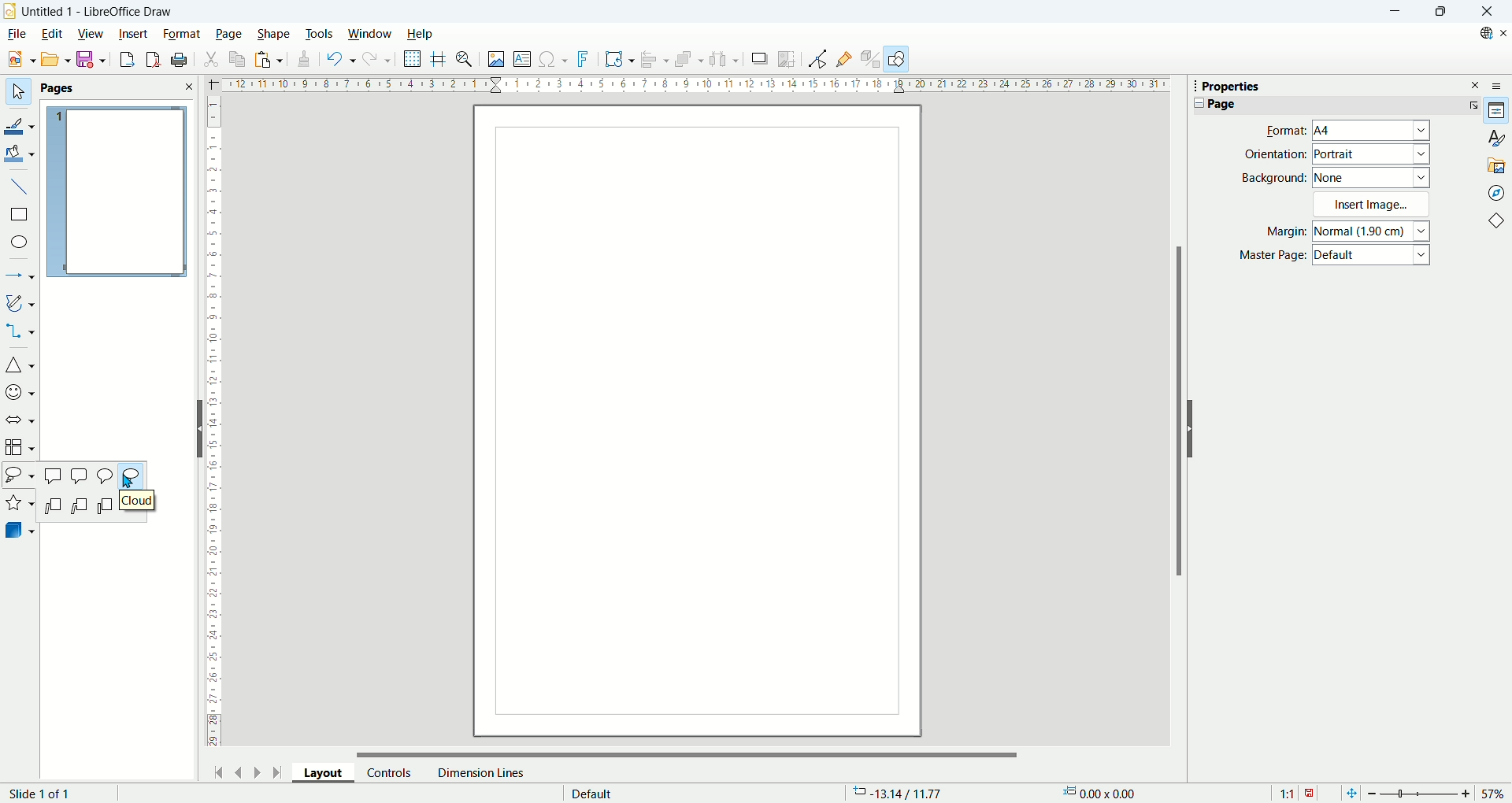 The width and height of the screenshot is (1512, 803). I want to click on help, so click(419, 34).